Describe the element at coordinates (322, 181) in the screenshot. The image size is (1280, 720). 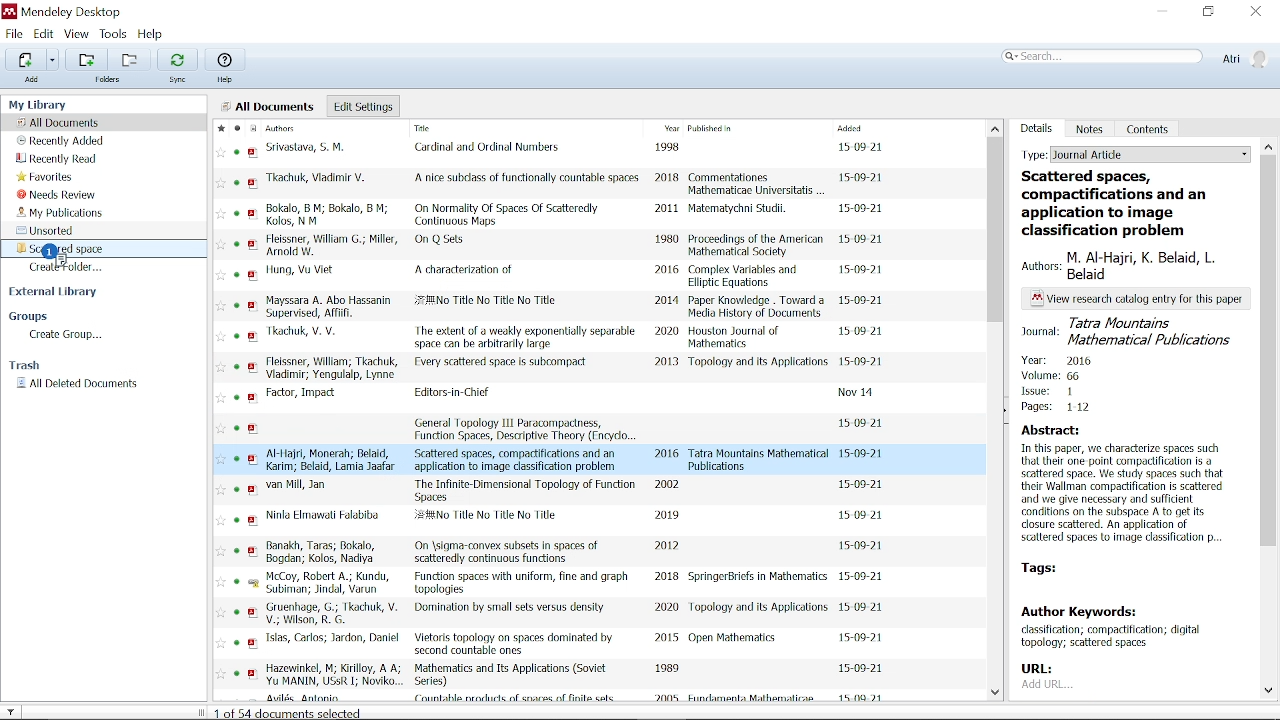
I see `authors` at that location.